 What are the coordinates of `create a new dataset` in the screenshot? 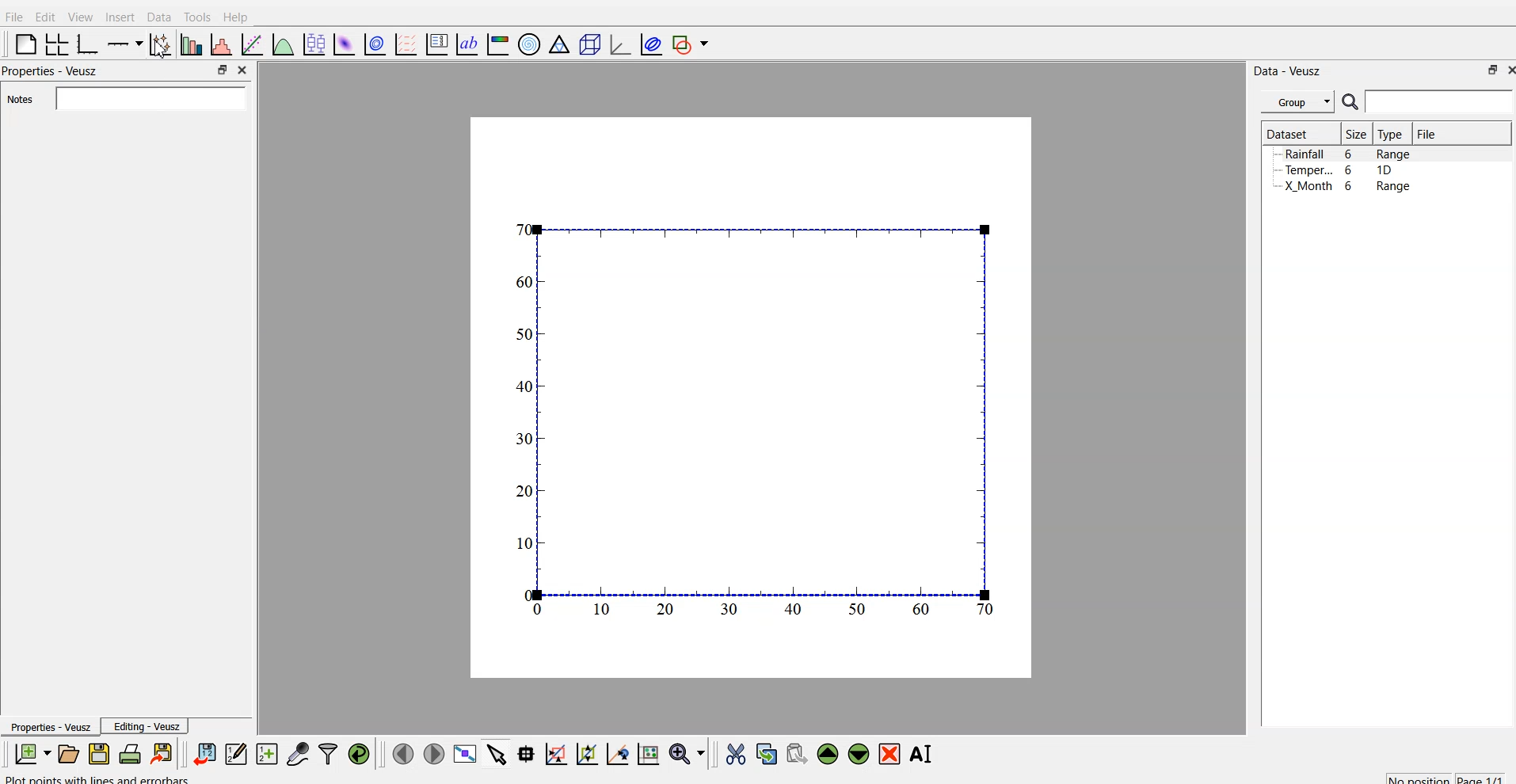 It's located at (266, 753).